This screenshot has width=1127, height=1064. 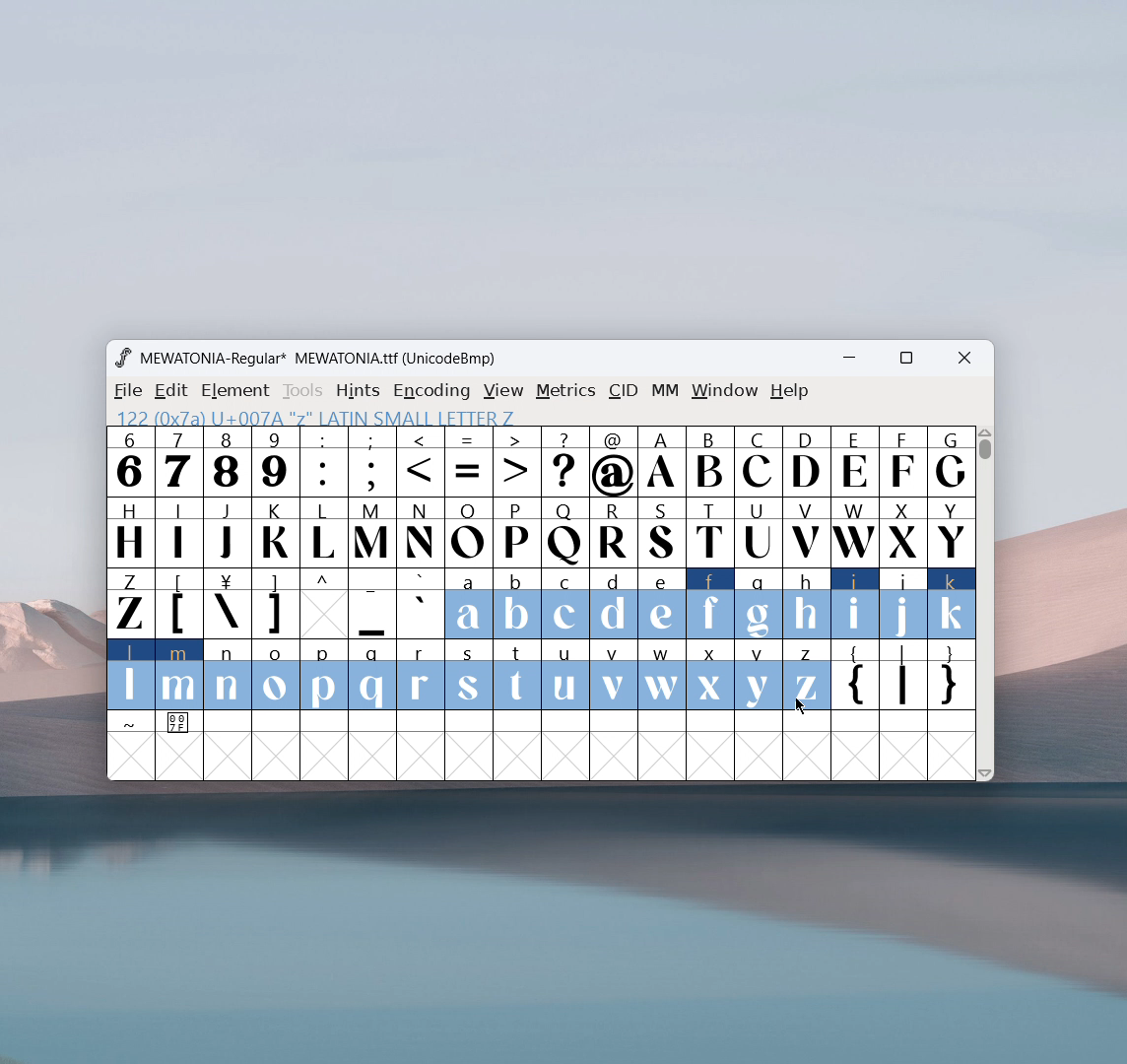 I want to click on f, so click(x=711, y=603).